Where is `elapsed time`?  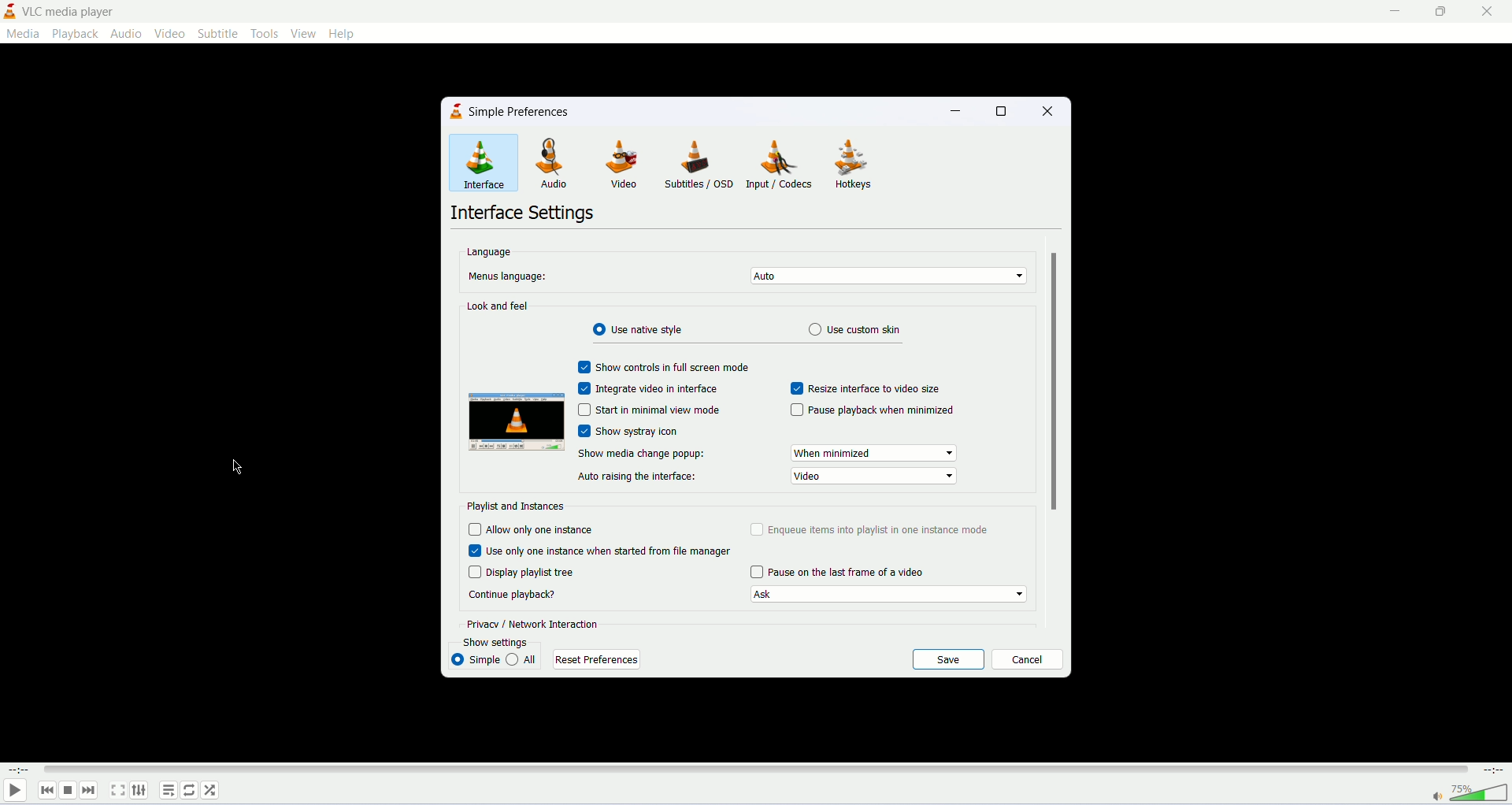 elapsed time is located at coordinates (19, 770).